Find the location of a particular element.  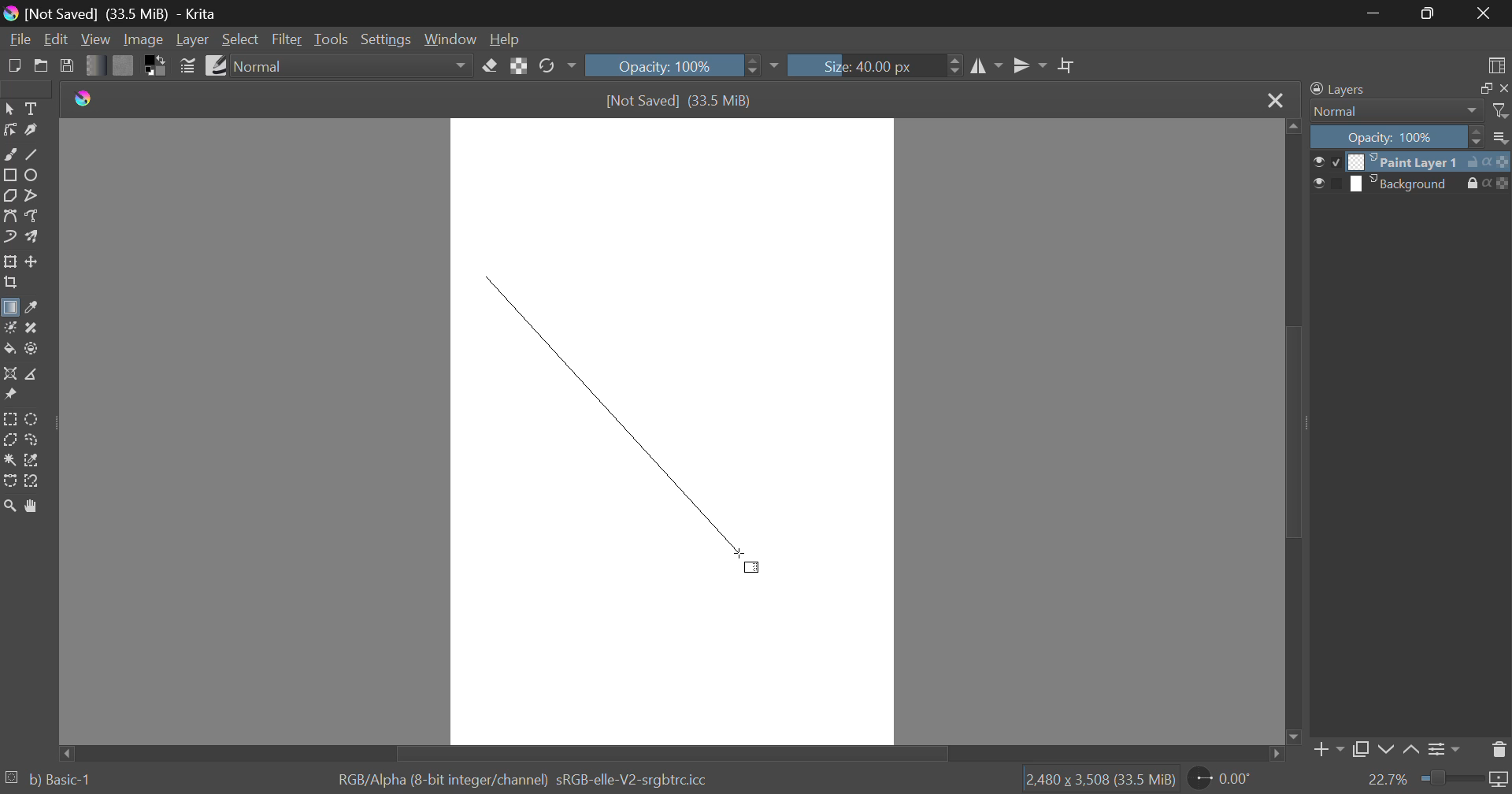

Brush Settings is located at coordinates (187, 65).